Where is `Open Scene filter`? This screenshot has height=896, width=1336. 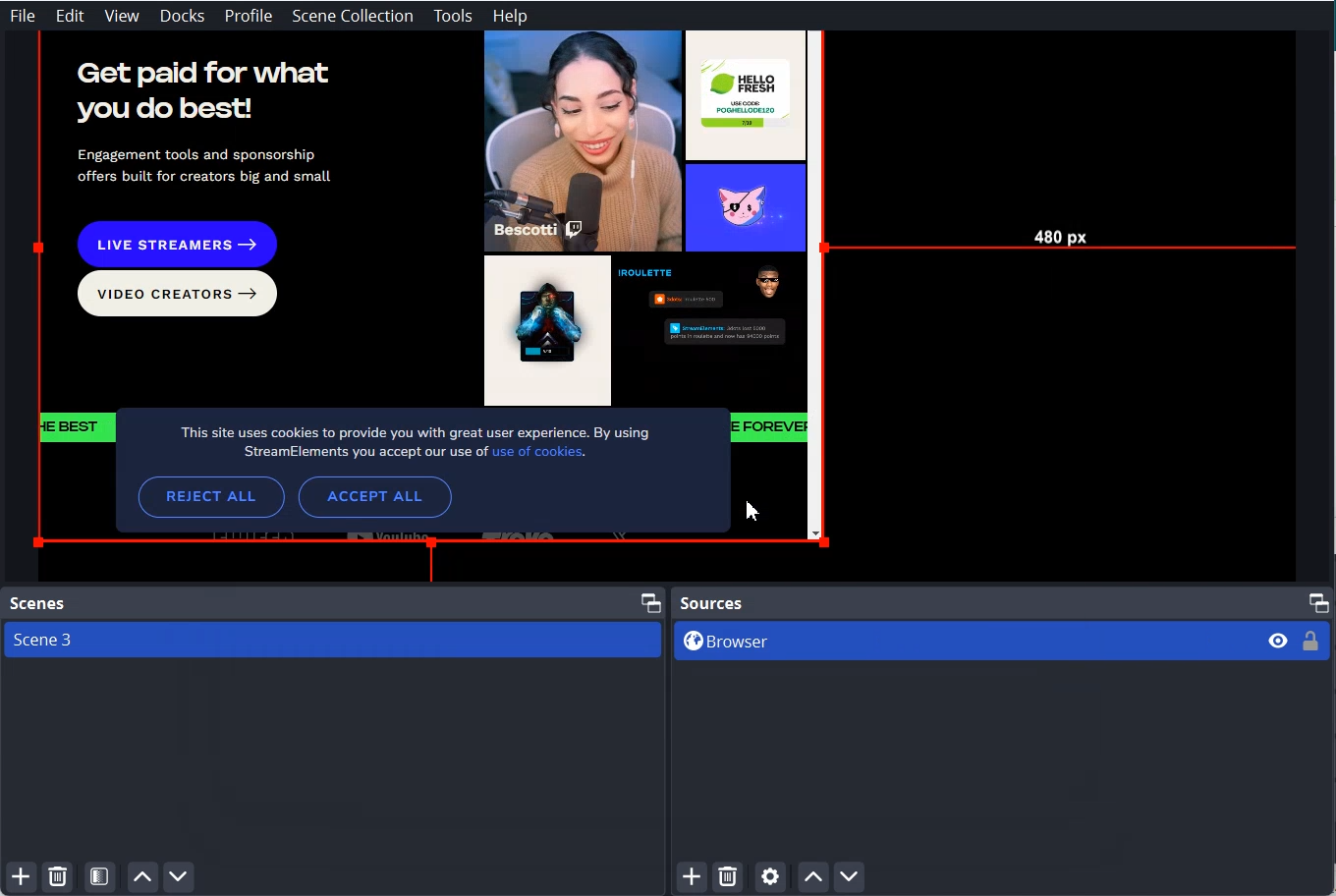
Open Scene filter is located at coordinates (100, 877).